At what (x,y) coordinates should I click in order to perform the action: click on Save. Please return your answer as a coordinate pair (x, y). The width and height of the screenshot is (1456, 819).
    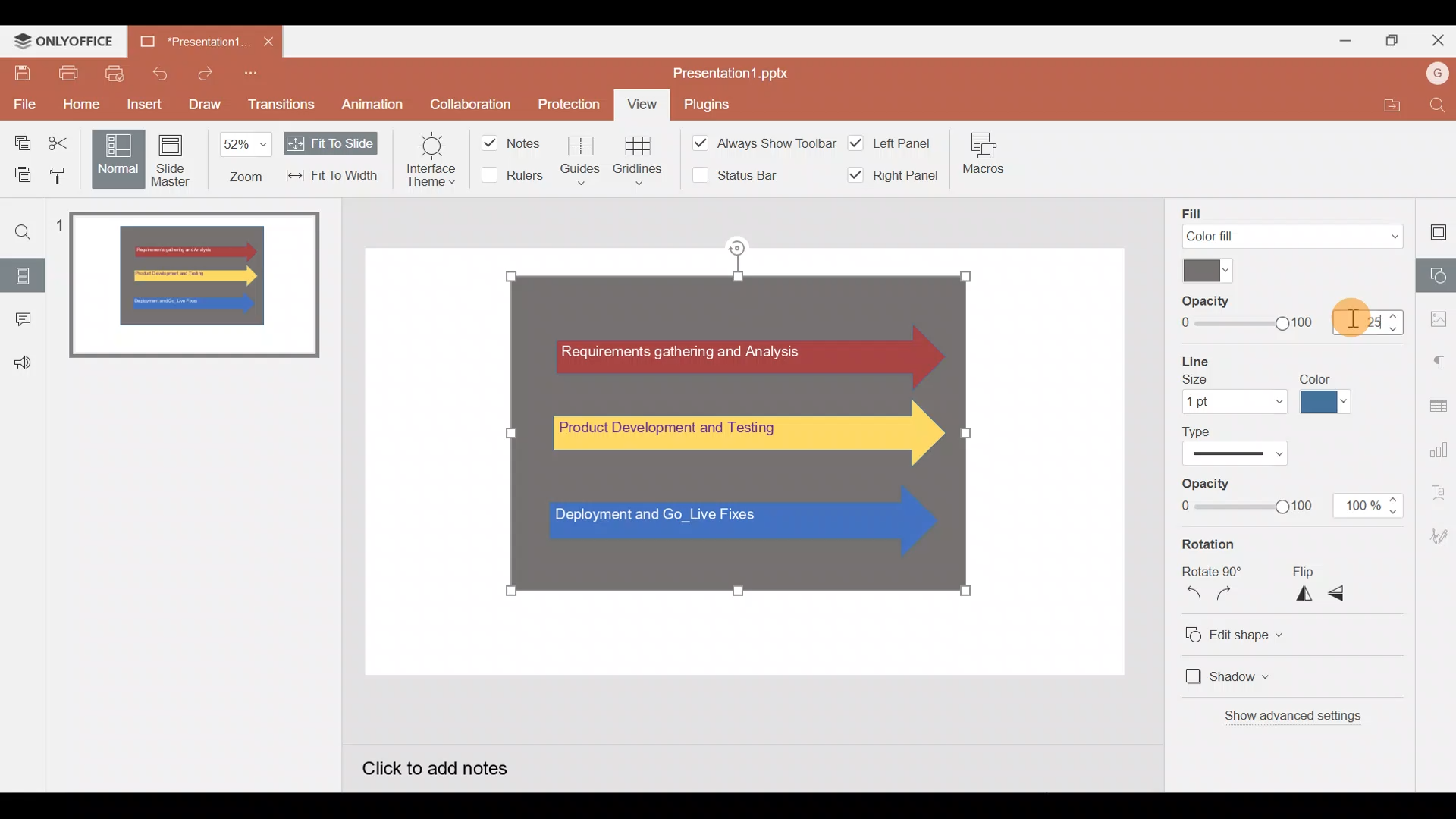
    Looking at the image, I should click on (18, 71).